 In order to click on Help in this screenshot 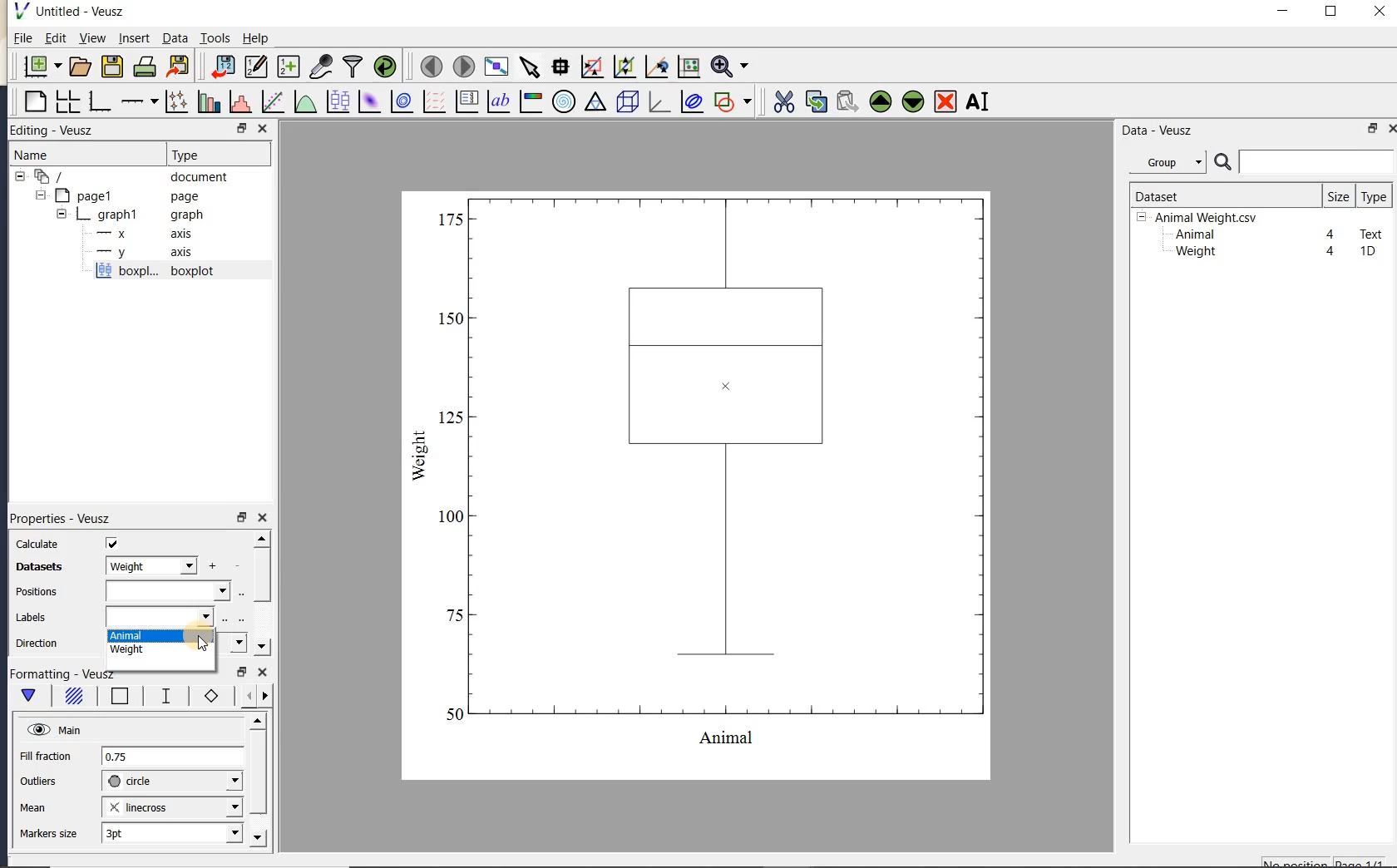, I will do `click(255, 38)`.